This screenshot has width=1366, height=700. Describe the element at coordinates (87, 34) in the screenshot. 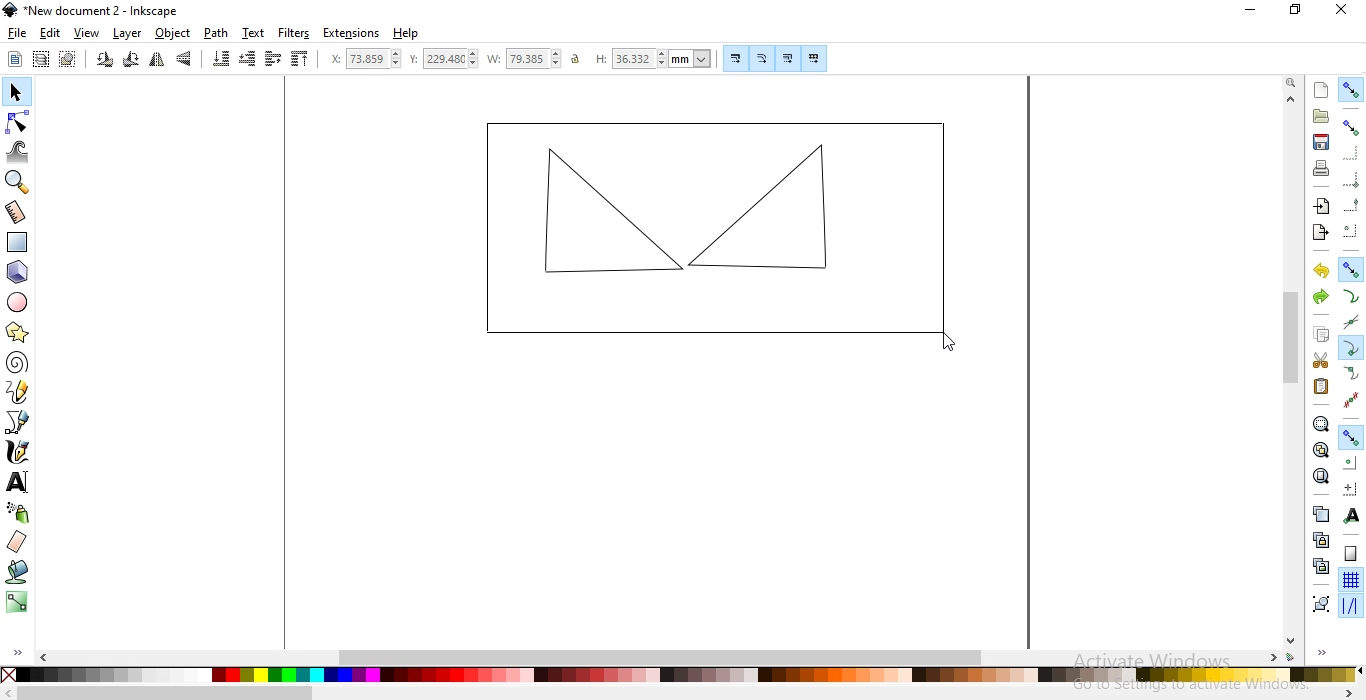

I see `view` at that location.